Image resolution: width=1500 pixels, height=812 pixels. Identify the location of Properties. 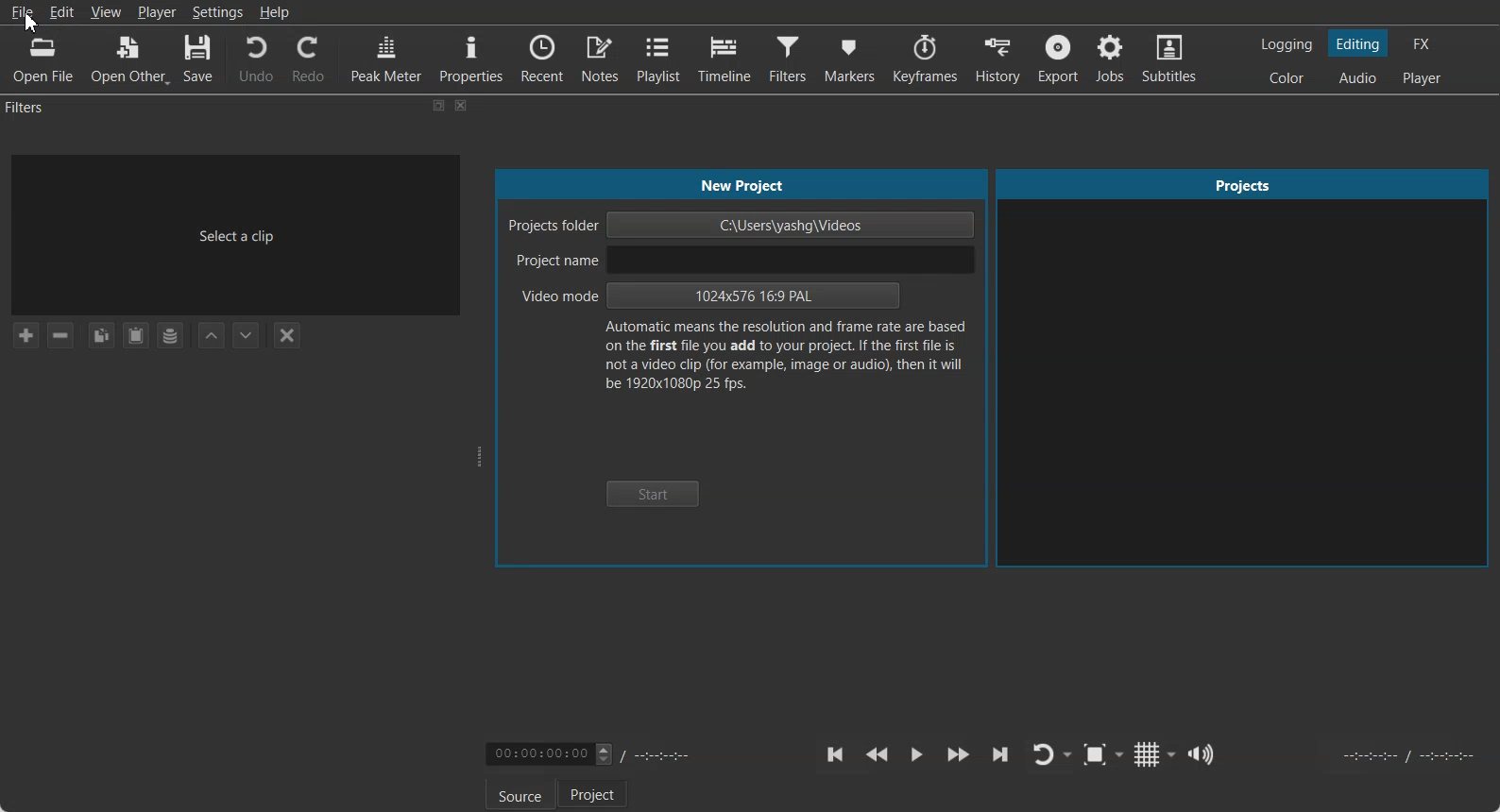
(471, 57).